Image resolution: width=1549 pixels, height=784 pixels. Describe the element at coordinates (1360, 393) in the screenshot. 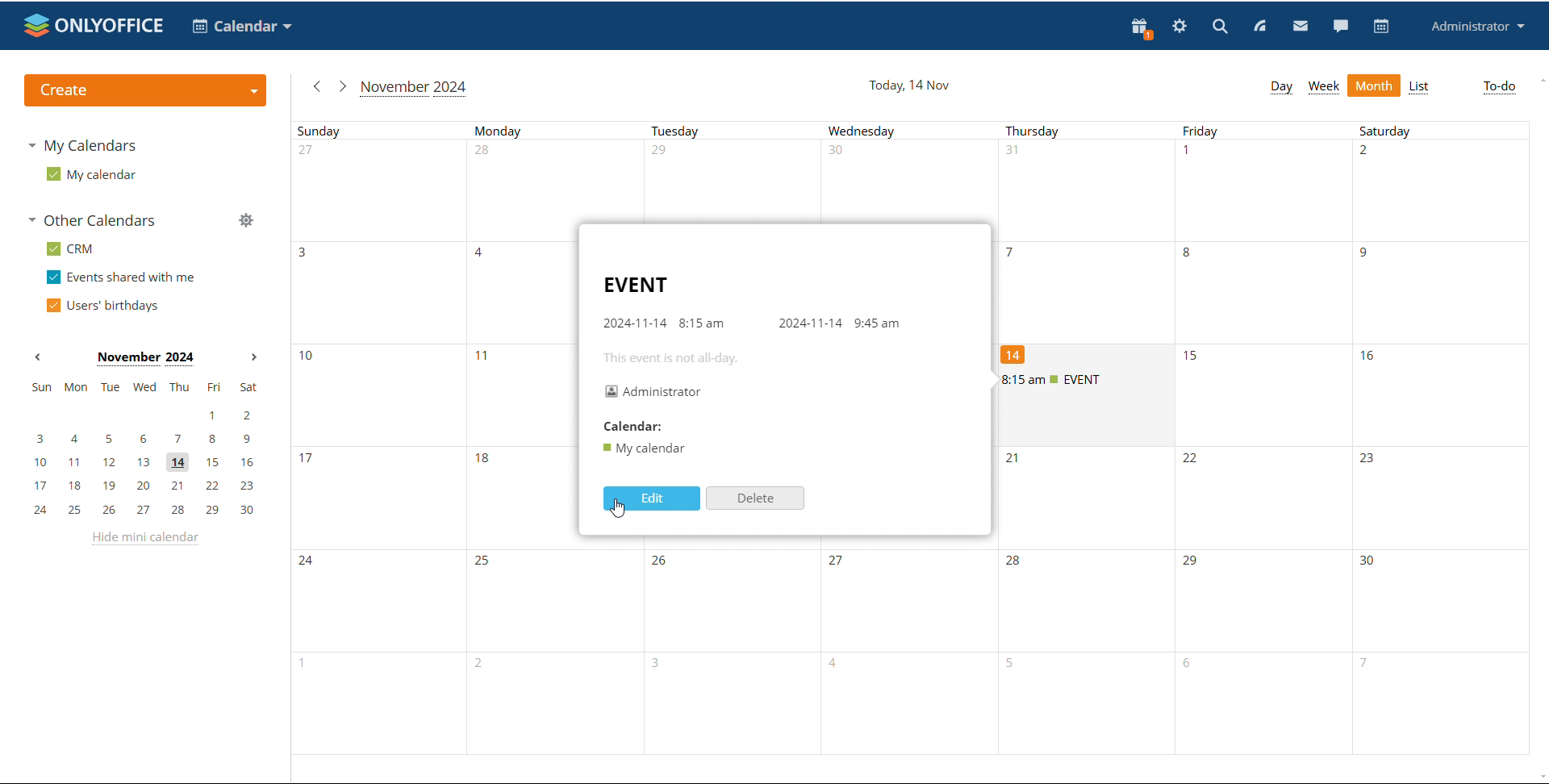

I see `15, 16` at that location.